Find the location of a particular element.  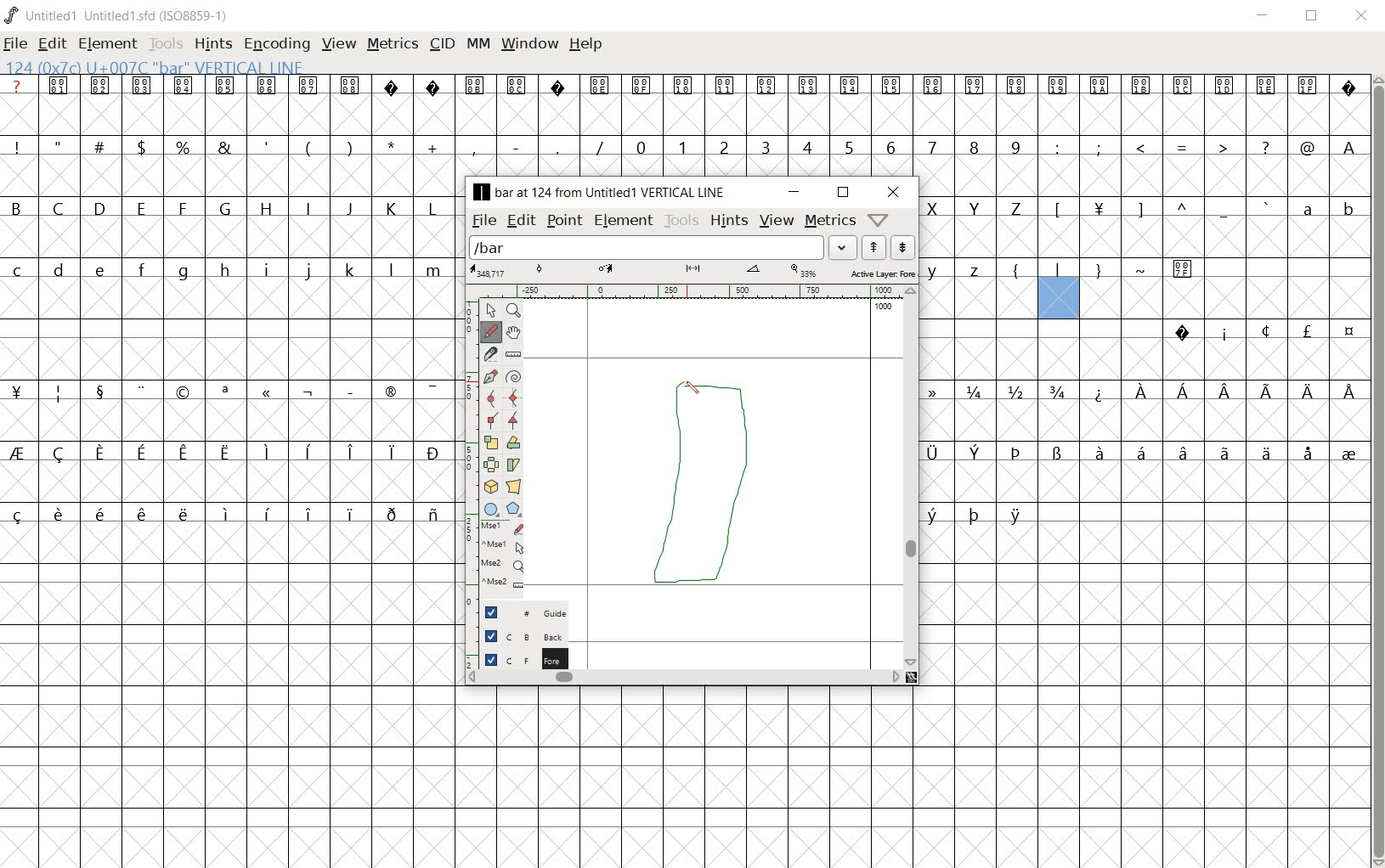

cut splines in two is located at coordinates (489, 352).